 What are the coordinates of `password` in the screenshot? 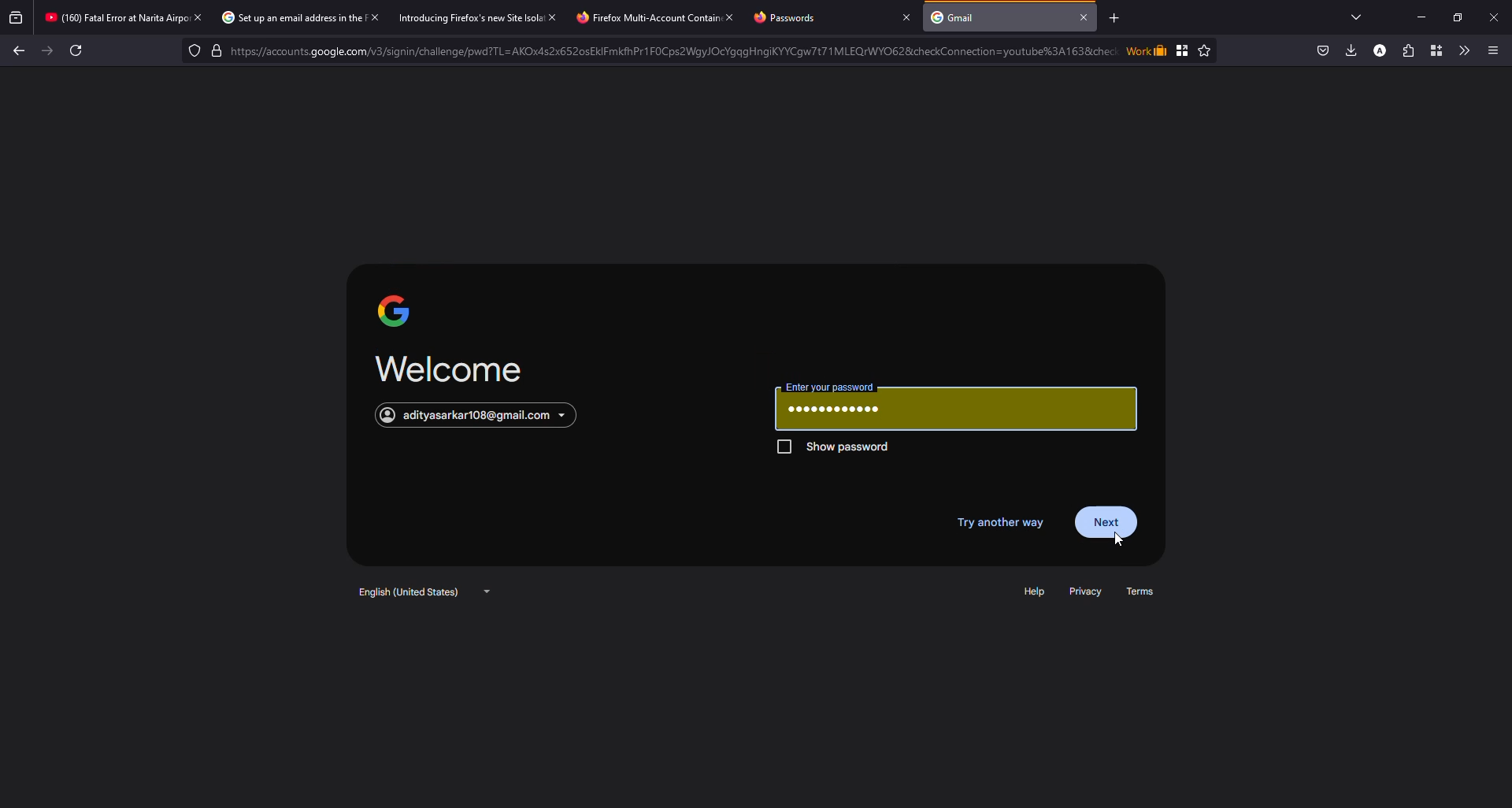 It's located at (832, 387).